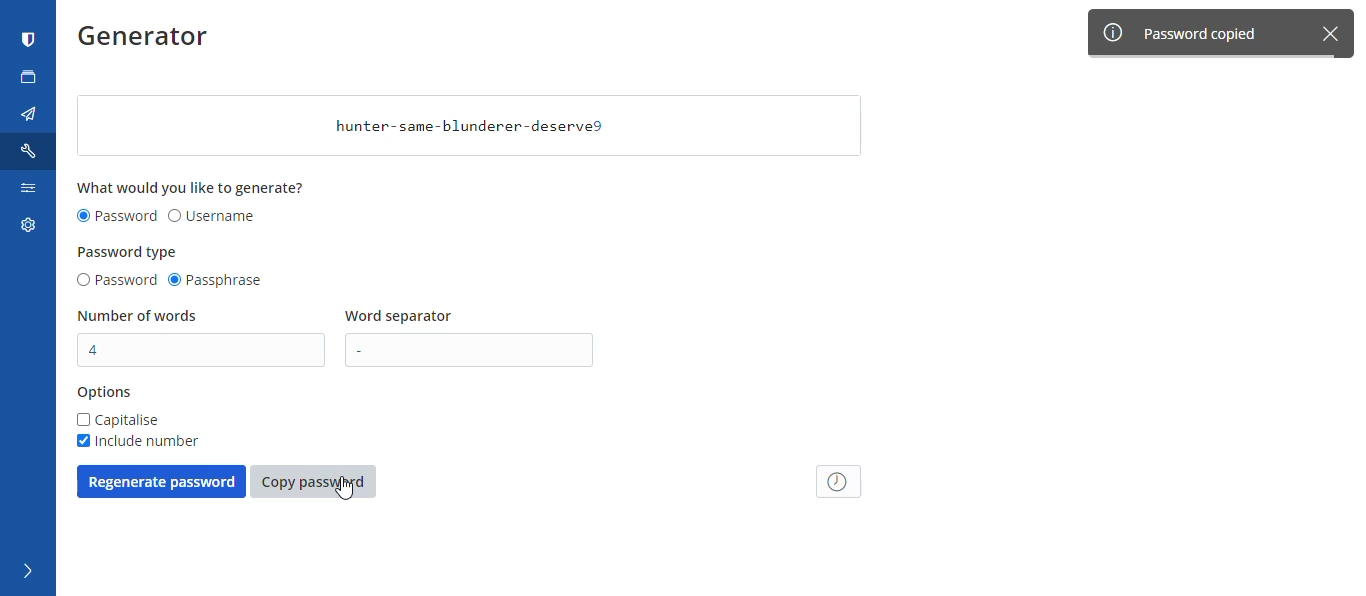 The image size is (1366, 596). I want to click on hunter-same-blunderer-deserve9, so click(469, 126).